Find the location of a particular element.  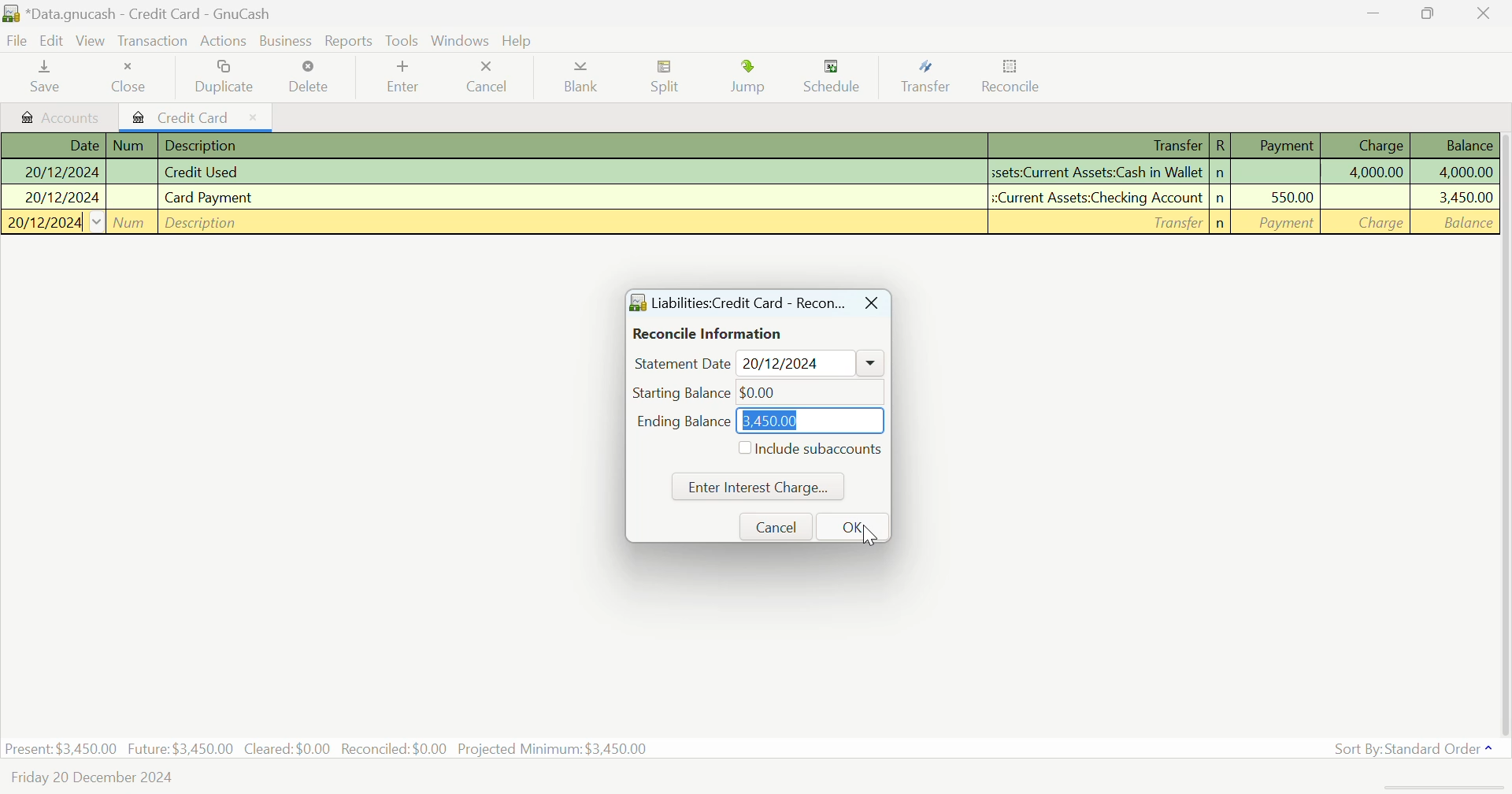

Cancel is located at coordinates (776, 526).